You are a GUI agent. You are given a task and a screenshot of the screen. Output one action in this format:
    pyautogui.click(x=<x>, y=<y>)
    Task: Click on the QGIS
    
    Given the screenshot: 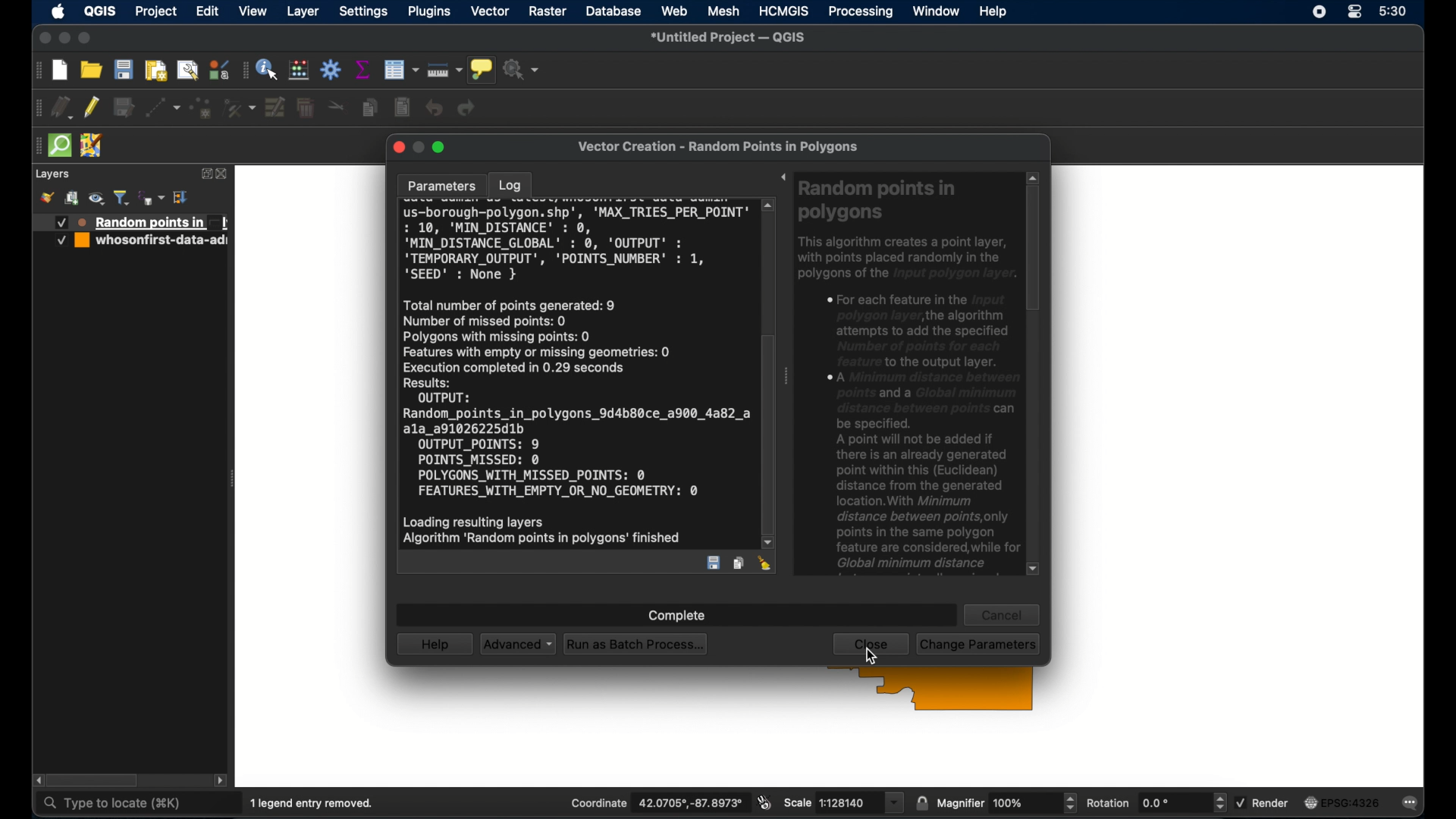 What is the action you would take?
    pyautogui.click(x=100, y=11)
    